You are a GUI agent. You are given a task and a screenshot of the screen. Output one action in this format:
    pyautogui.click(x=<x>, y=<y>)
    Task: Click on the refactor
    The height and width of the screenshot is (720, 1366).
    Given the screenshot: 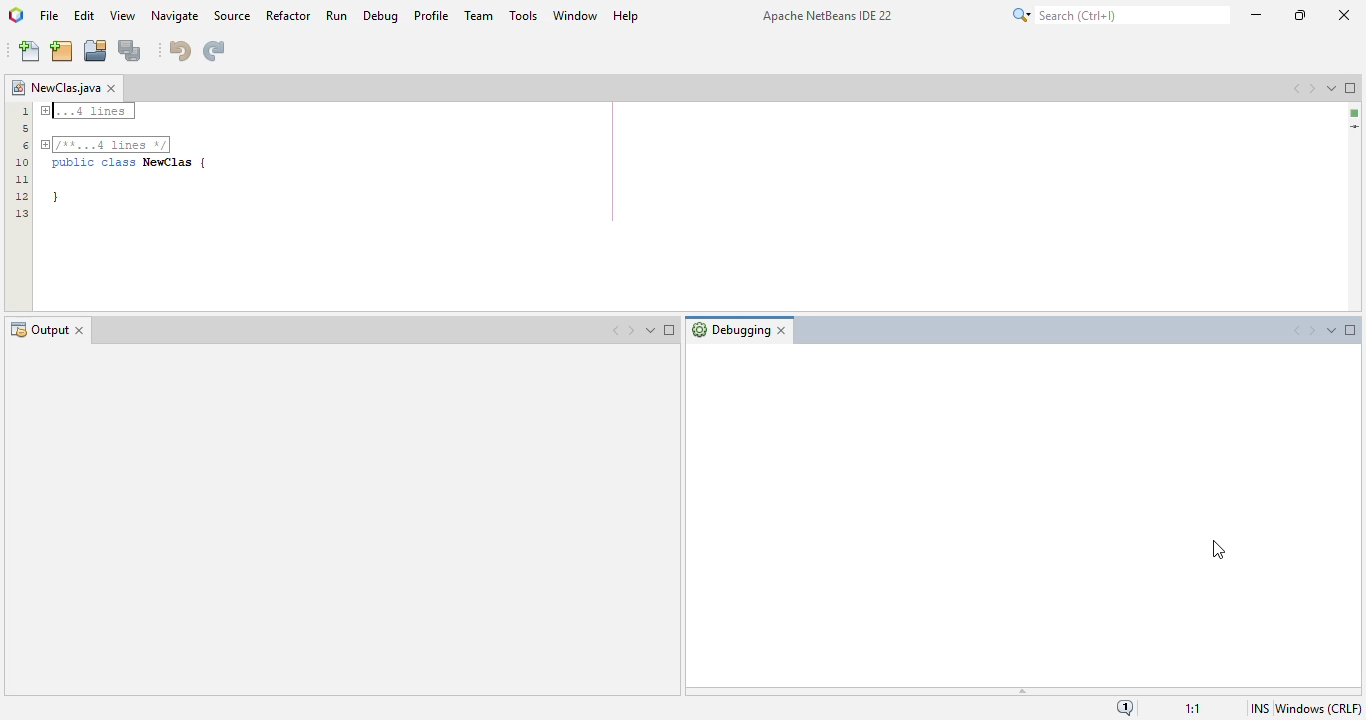 What is the action you would take?
    pyautogui.click(x=289, y=15)
    